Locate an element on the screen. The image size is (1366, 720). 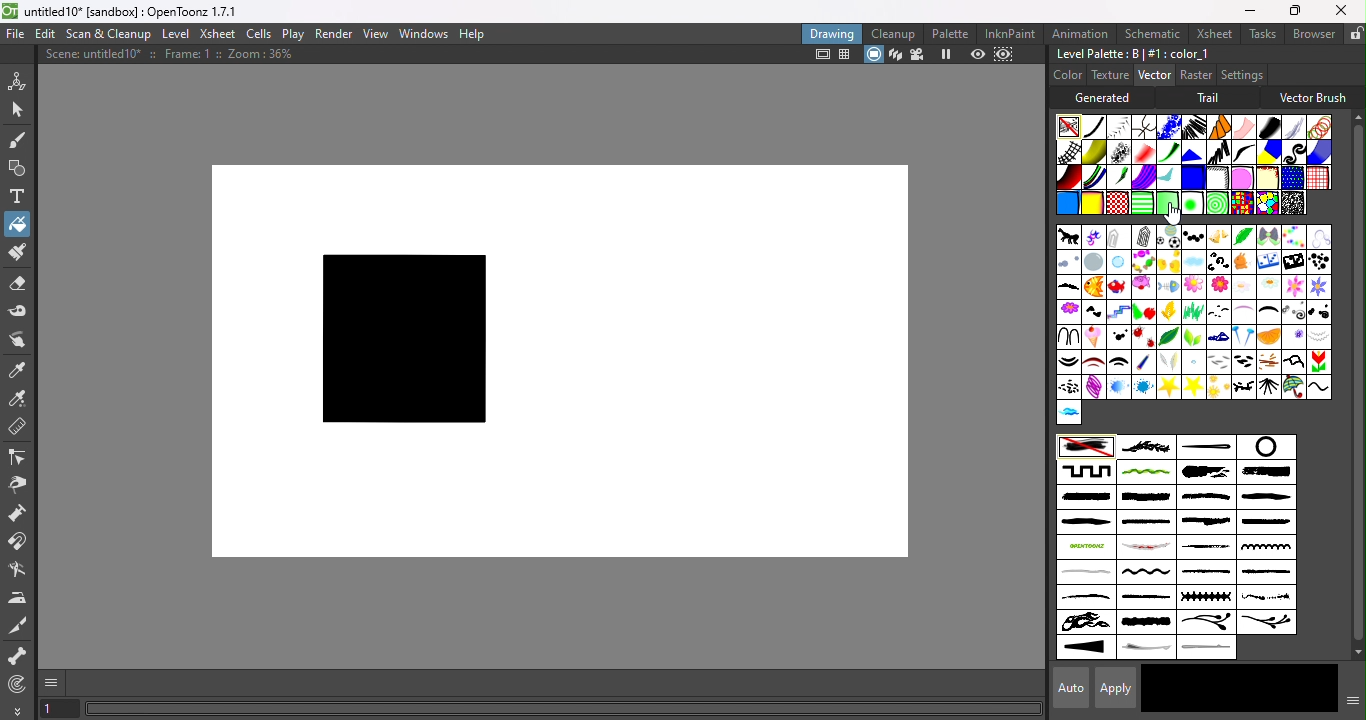
Eraser is located at coordinates (17, 287).